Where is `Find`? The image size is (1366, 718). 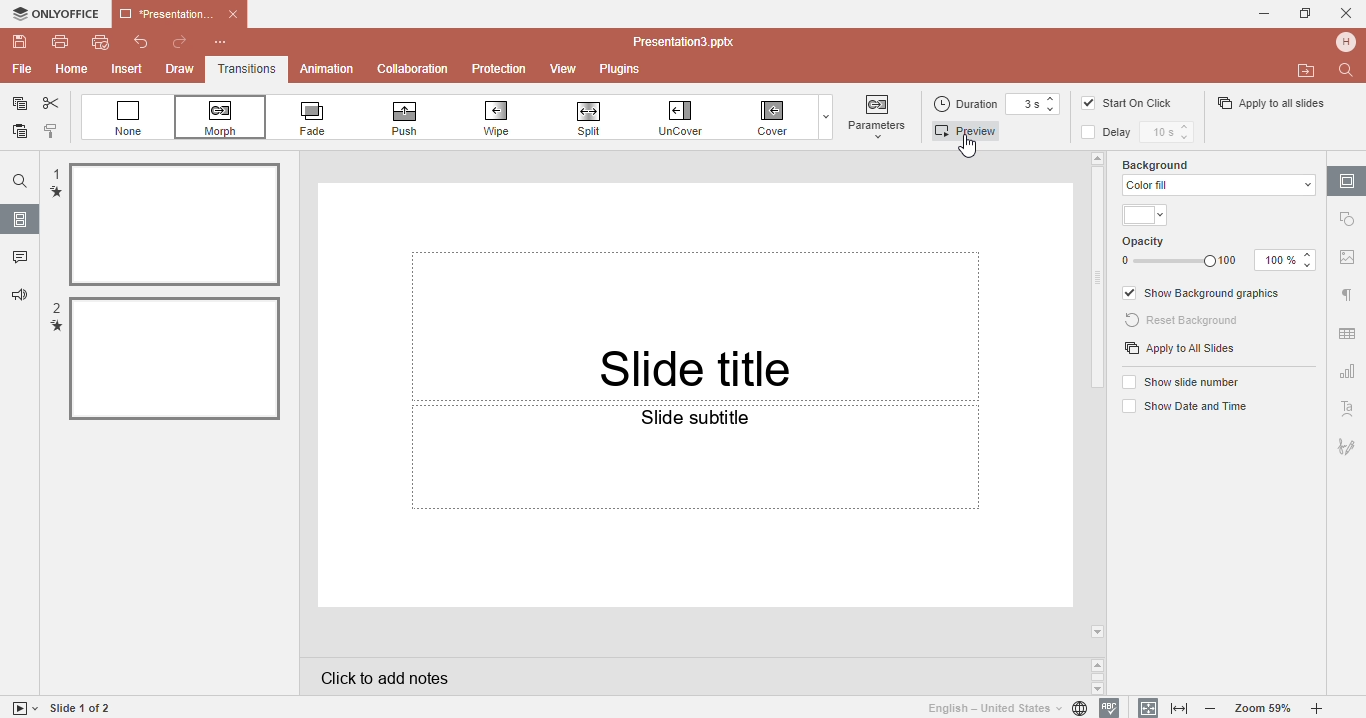
Find is located at coordinates (1349, 70).